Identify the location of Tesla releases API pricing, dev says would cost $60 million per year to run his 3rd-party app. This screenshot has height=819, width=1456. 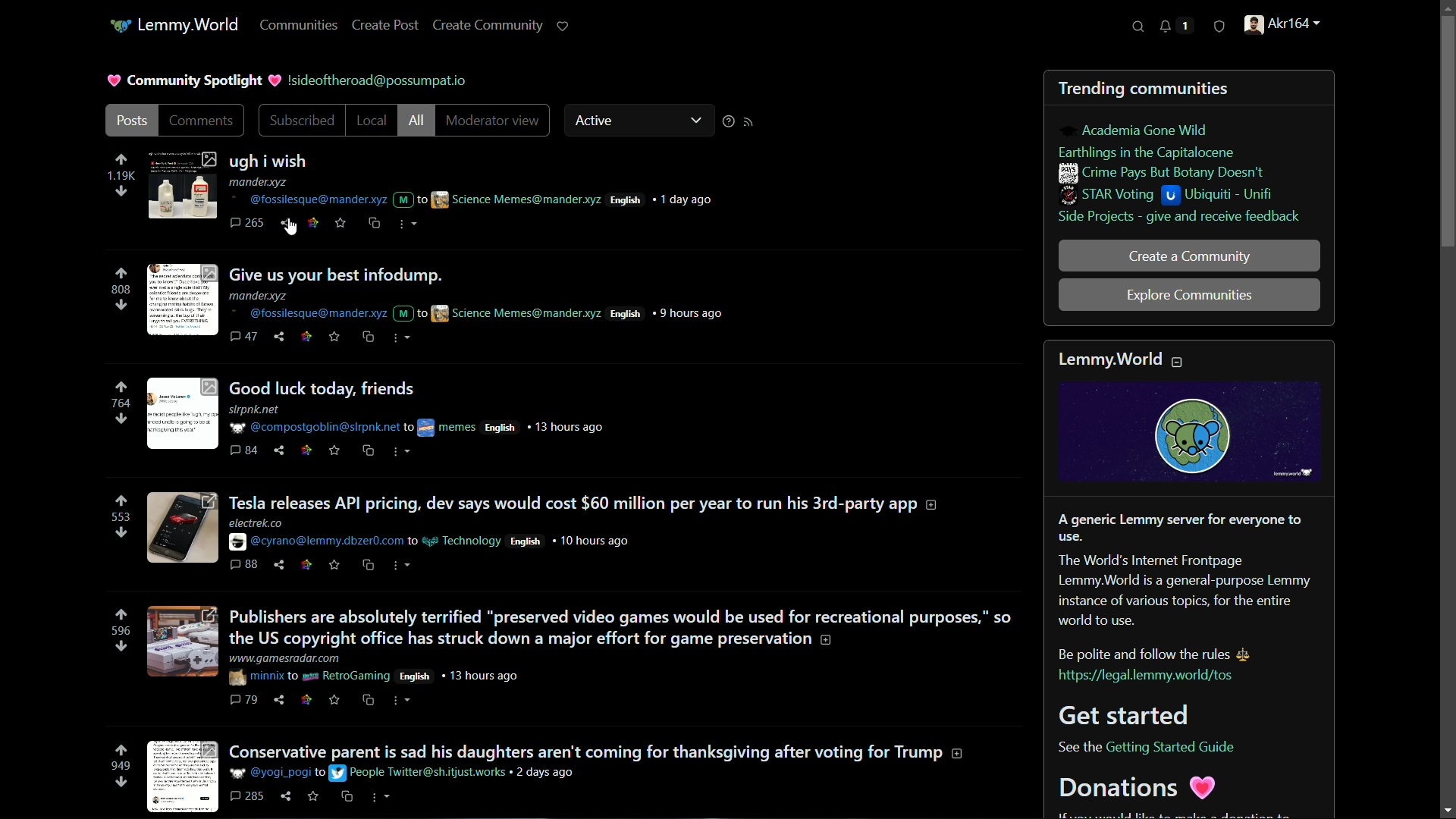
(573, 504).